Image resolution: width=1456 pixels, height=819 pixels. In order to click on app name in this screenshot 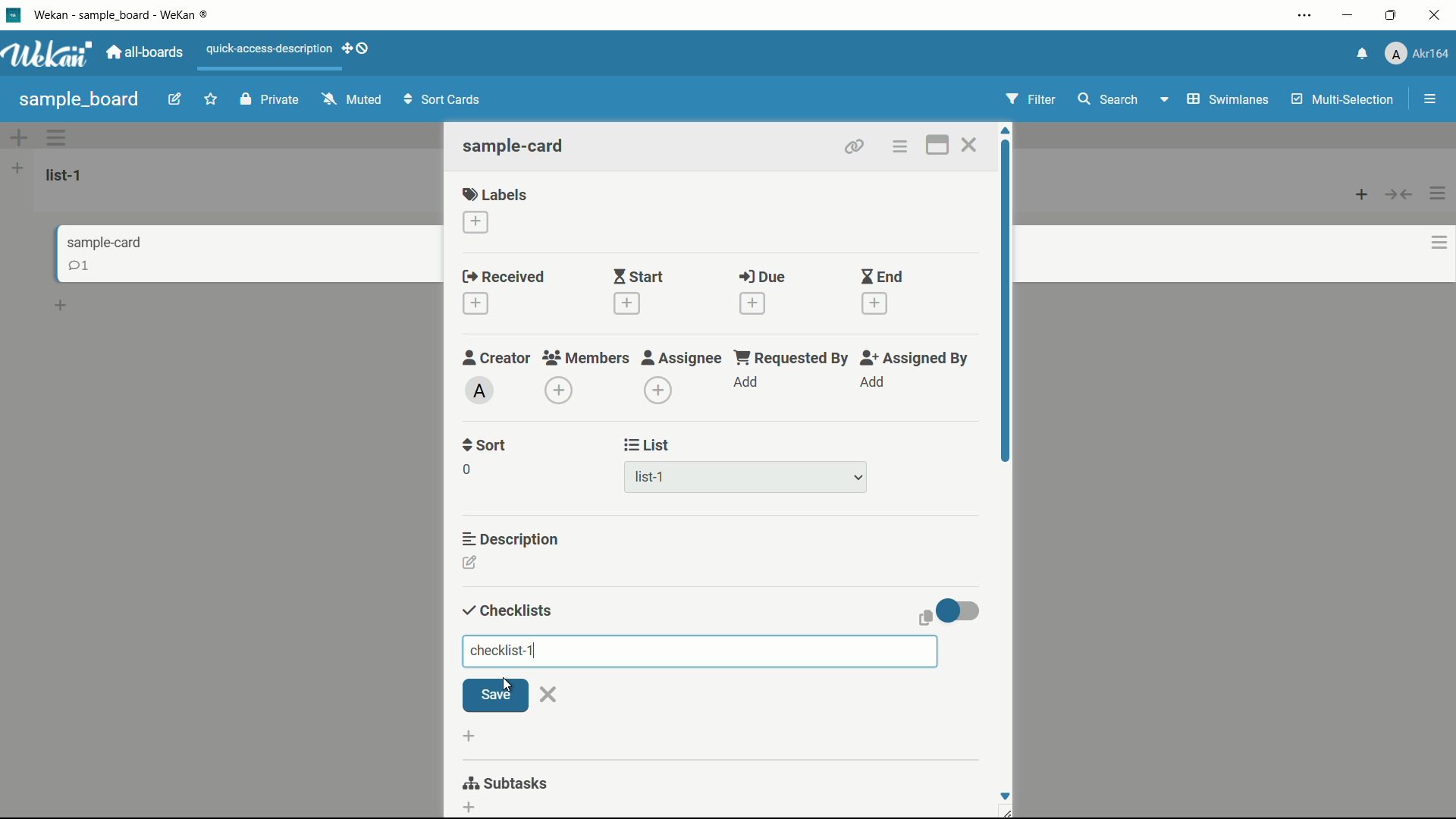, I will do `click(124, 16)`.